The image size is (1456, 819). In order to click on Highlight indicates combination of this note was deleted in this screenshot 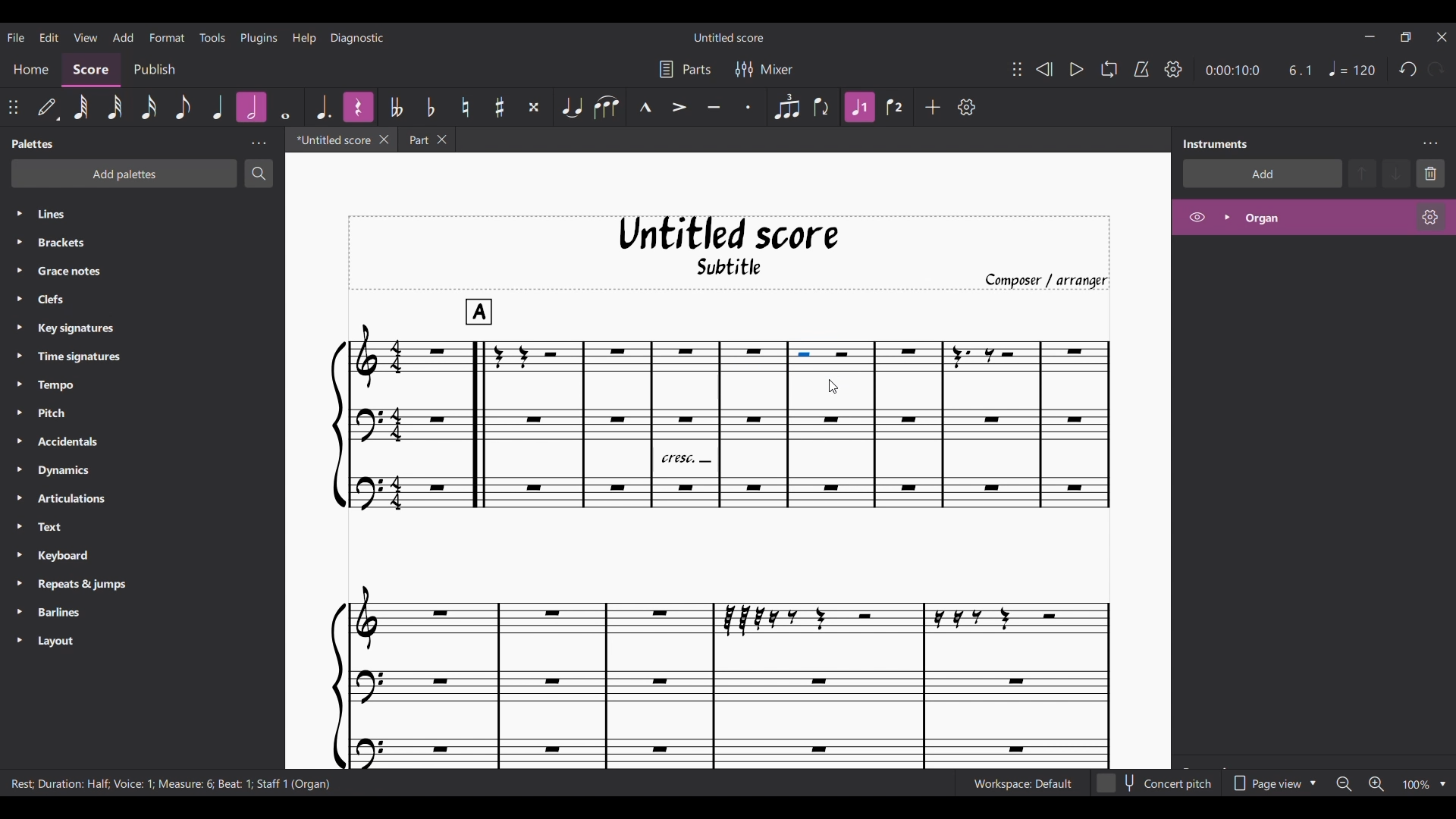, I will do `click(252, 107)`.